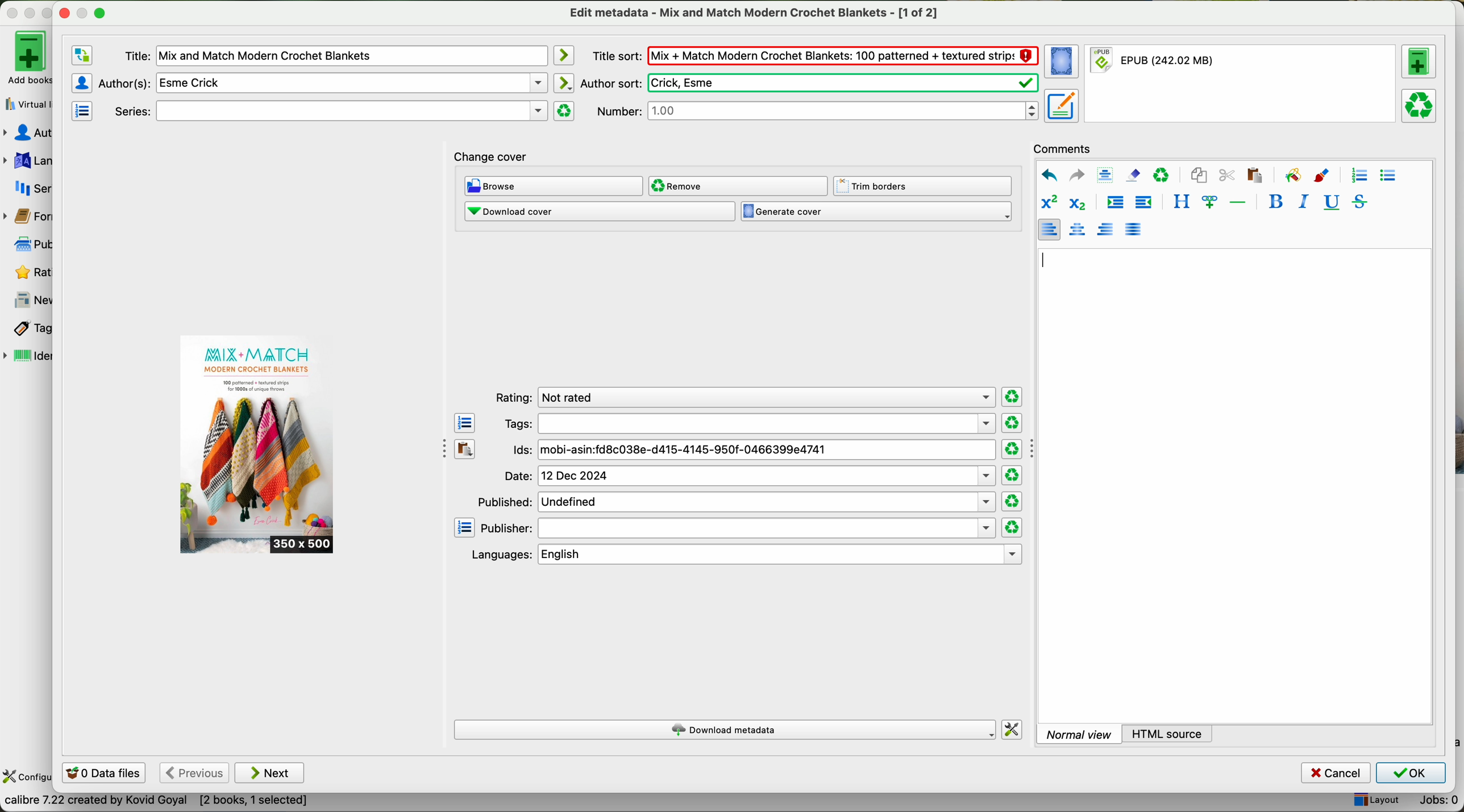 The height and width of the screenshot is (812, 1464). I want to click on undo, so click(1049, 176).